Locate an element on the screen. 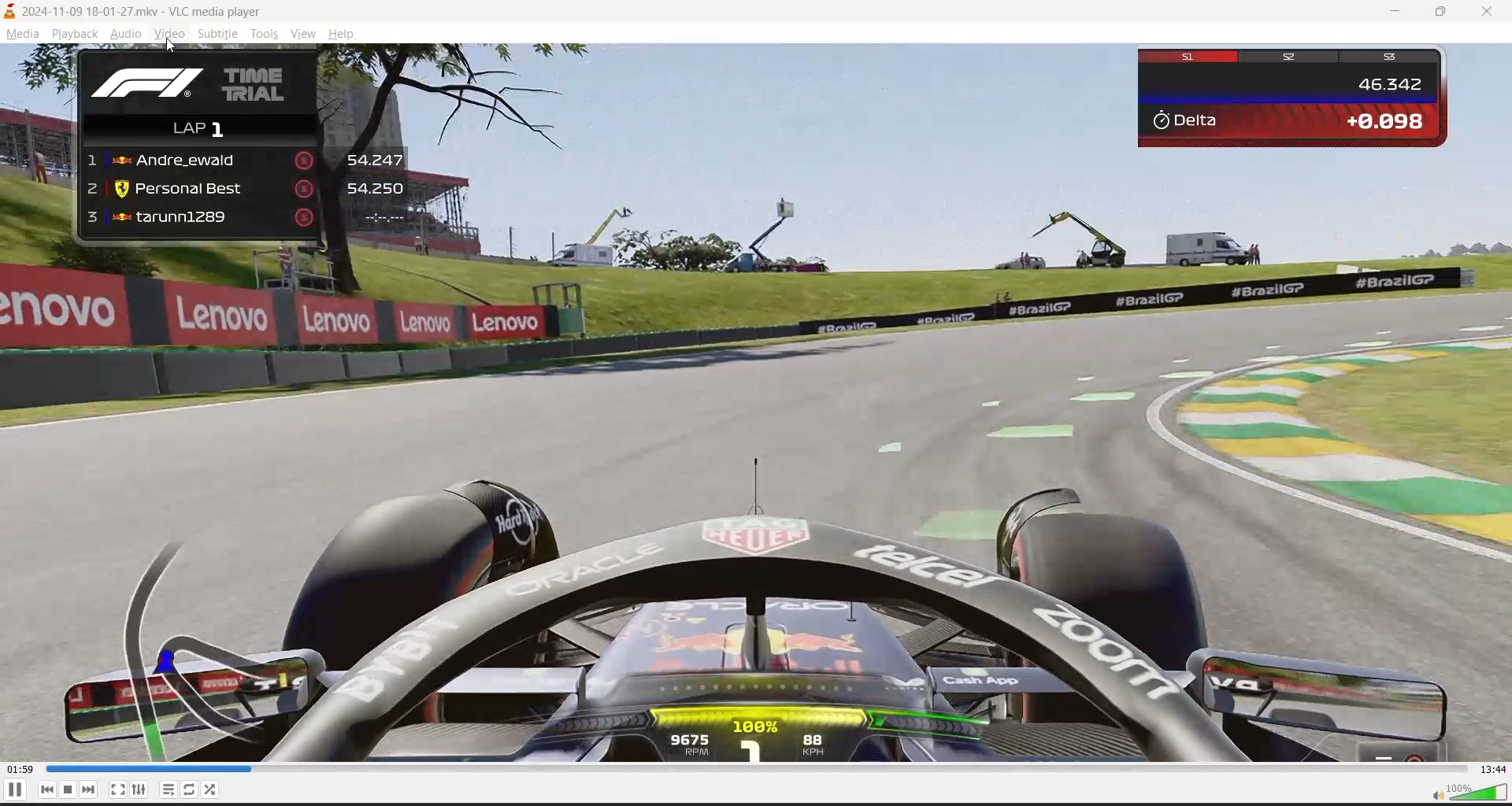 This screenshot has height=806, width=1512. stop is located at coordinates (70, 789).